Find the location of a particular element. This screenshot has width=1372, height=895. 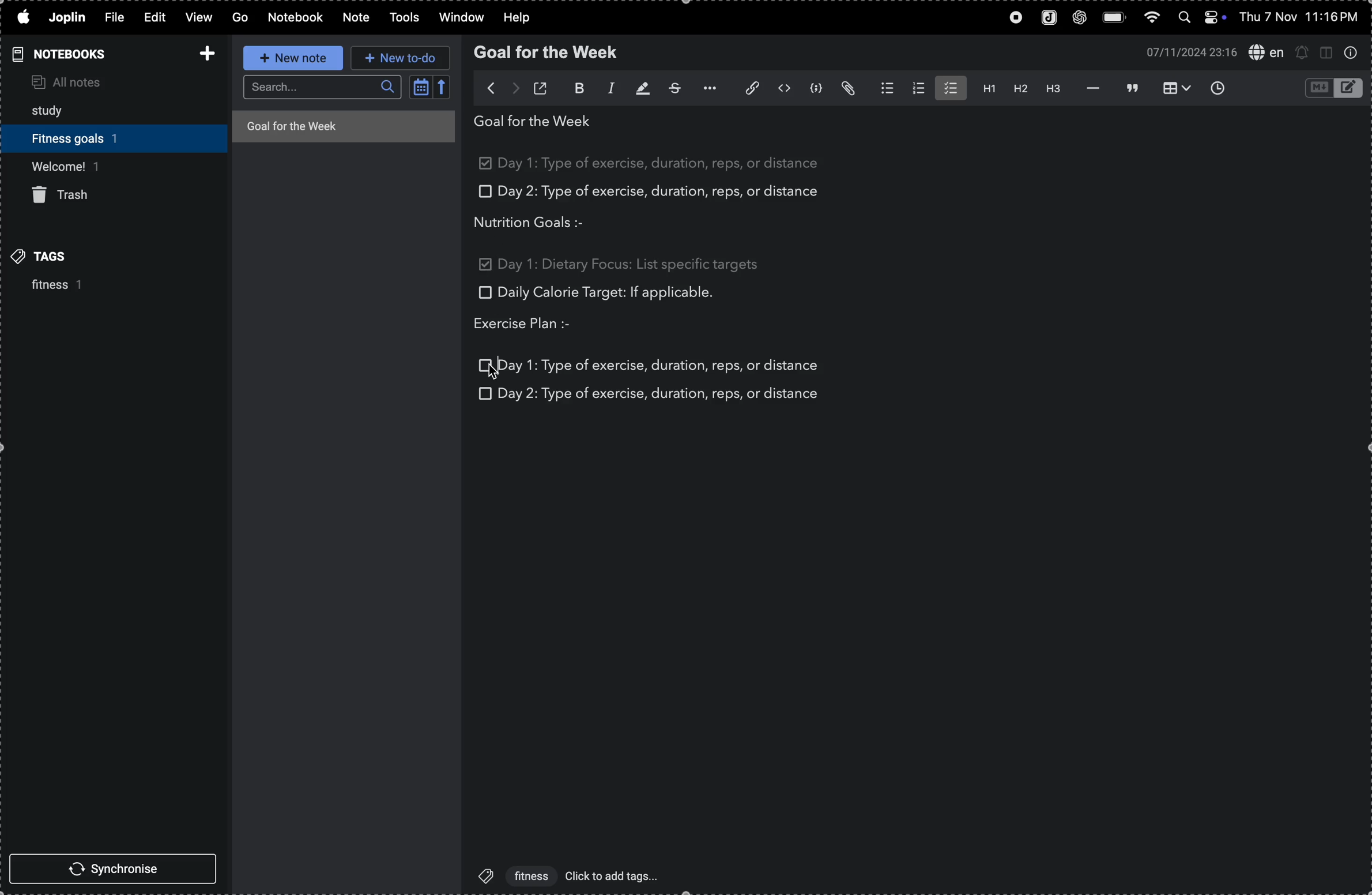

notebooks is located at coordinates (66, 54).